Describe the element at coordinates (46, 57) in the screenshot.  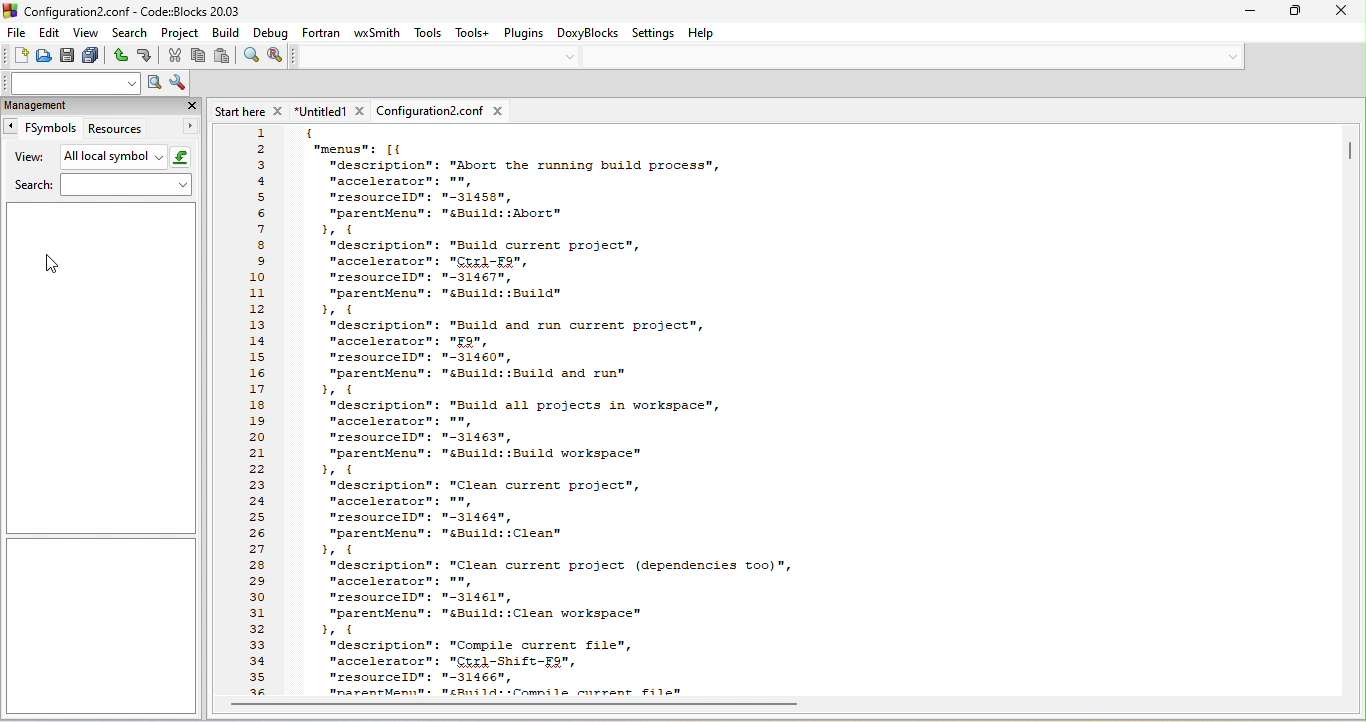
I see `open` at that location.